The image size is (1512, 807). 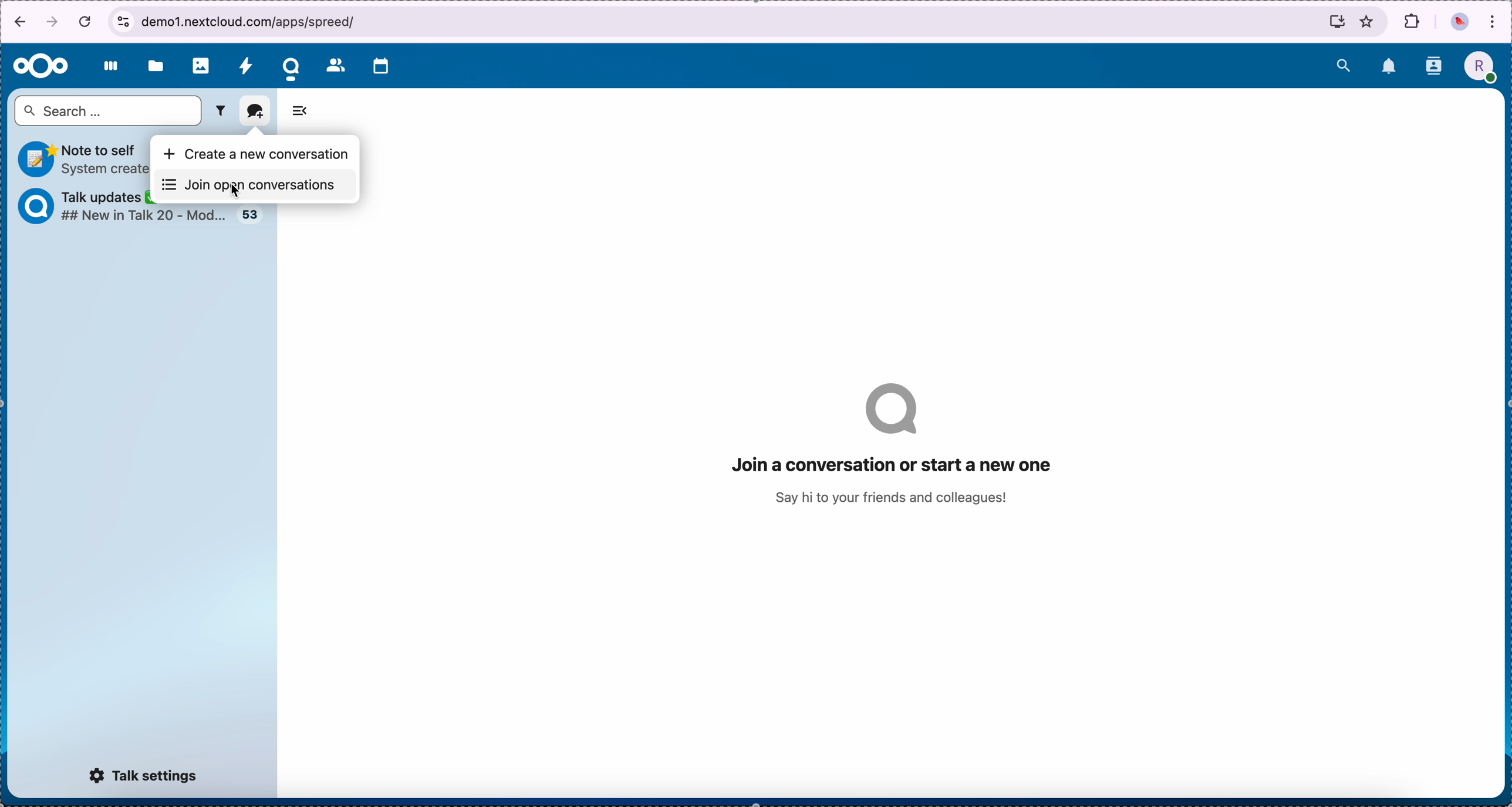 I want to click on contacts, so click(x=1433, y=66).